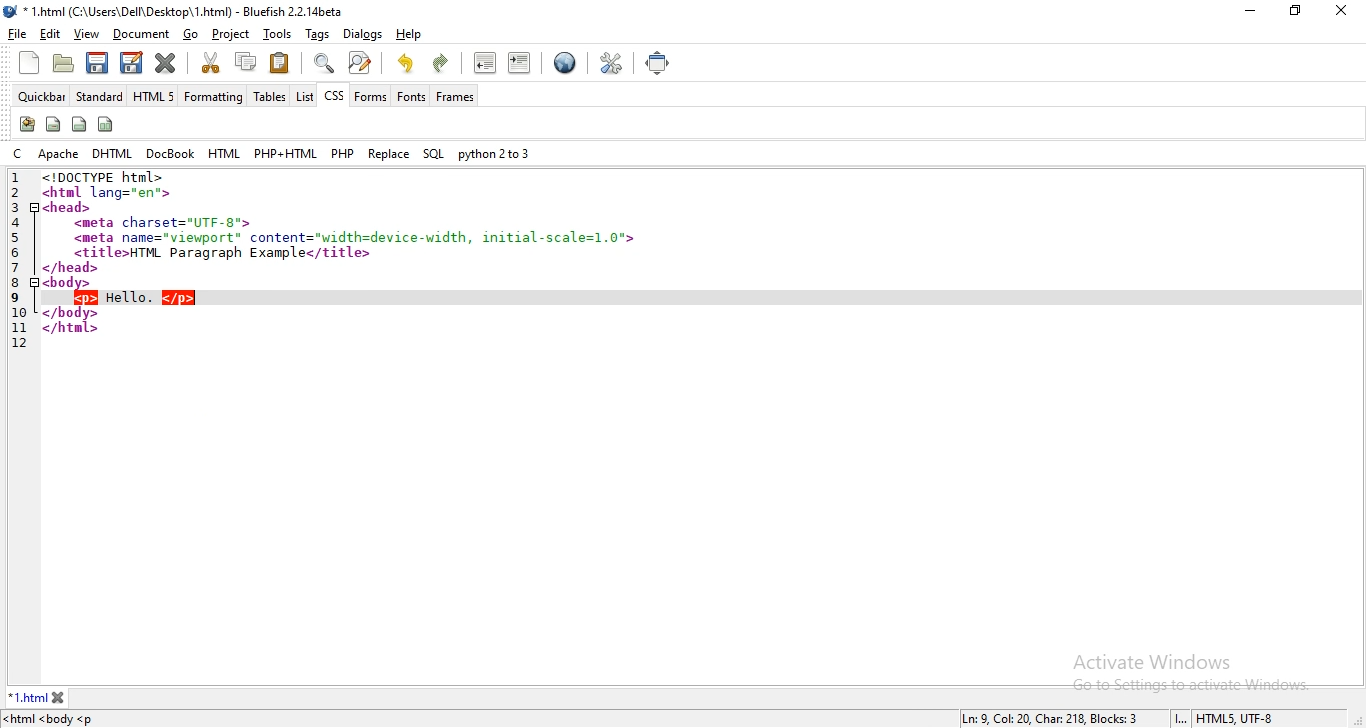 This screenshot has height=728, width=1366. Describe the element at coordinates (1053, 719) in the screenshot. I see `Ln: 9, Col: 20, Char: 218, Blocks: 3` at that location.